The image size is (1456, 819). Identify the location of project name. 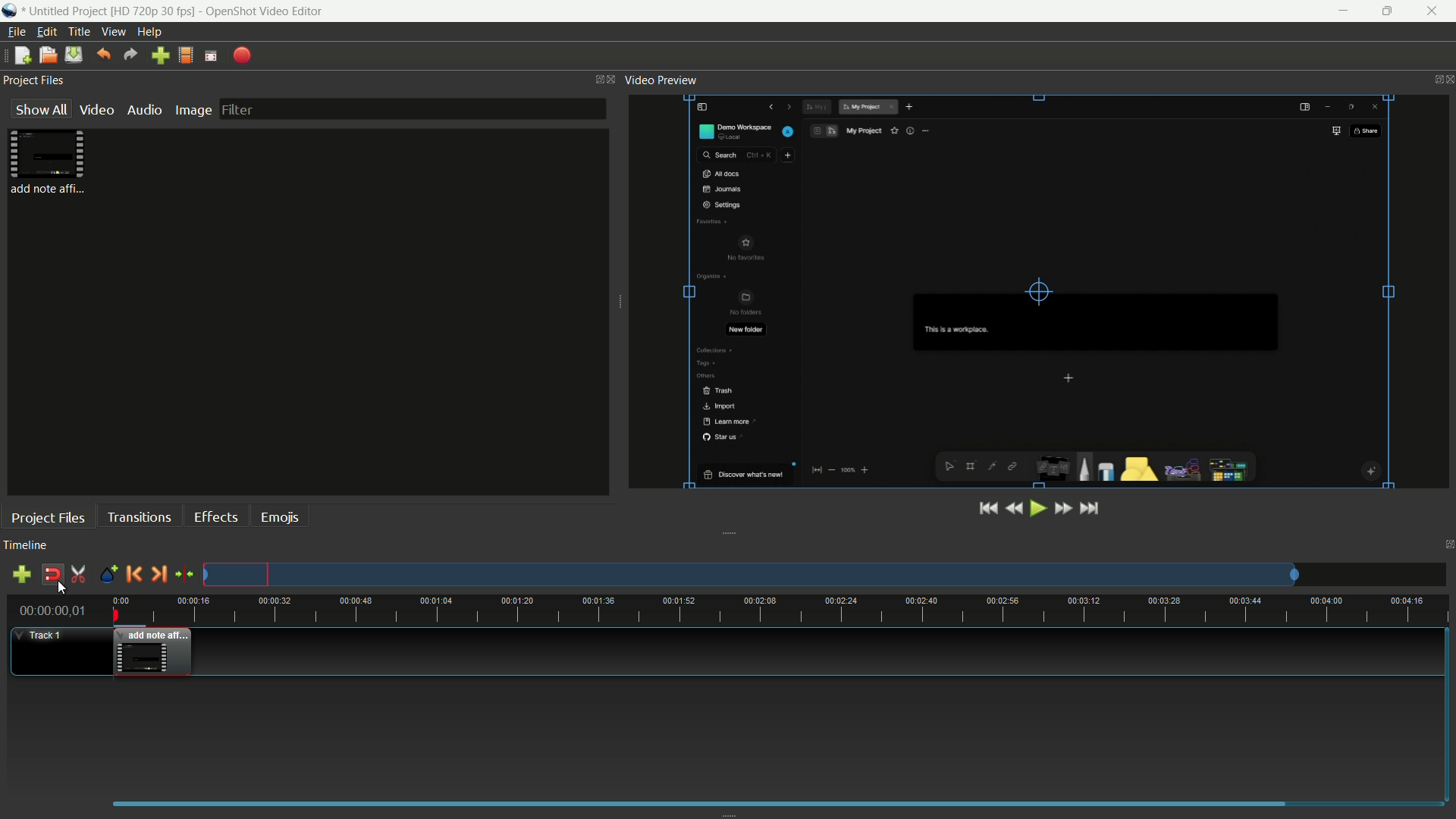
(111, 11).